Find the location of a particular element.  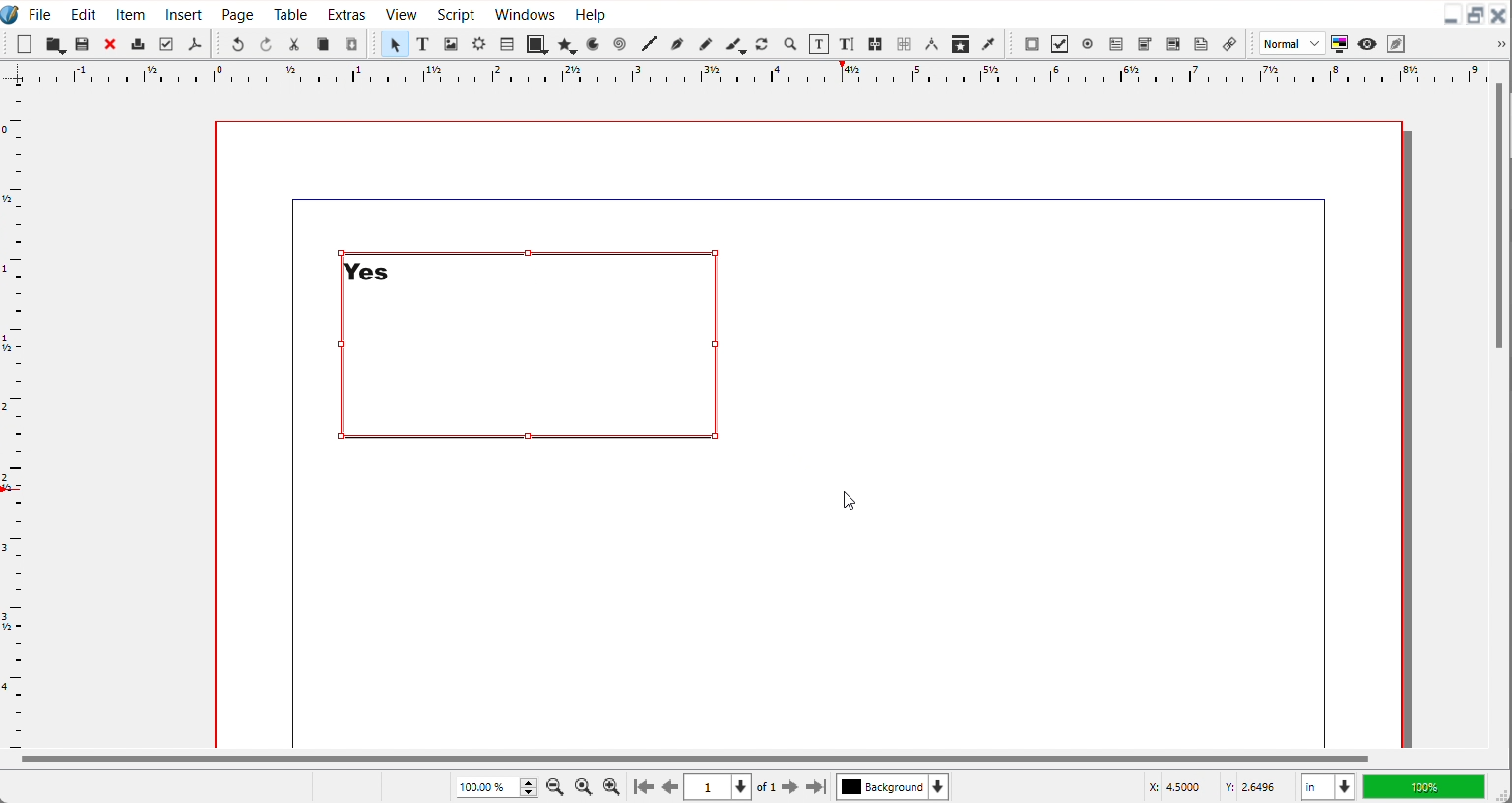

Select current page is located at coordinates (718, 787).